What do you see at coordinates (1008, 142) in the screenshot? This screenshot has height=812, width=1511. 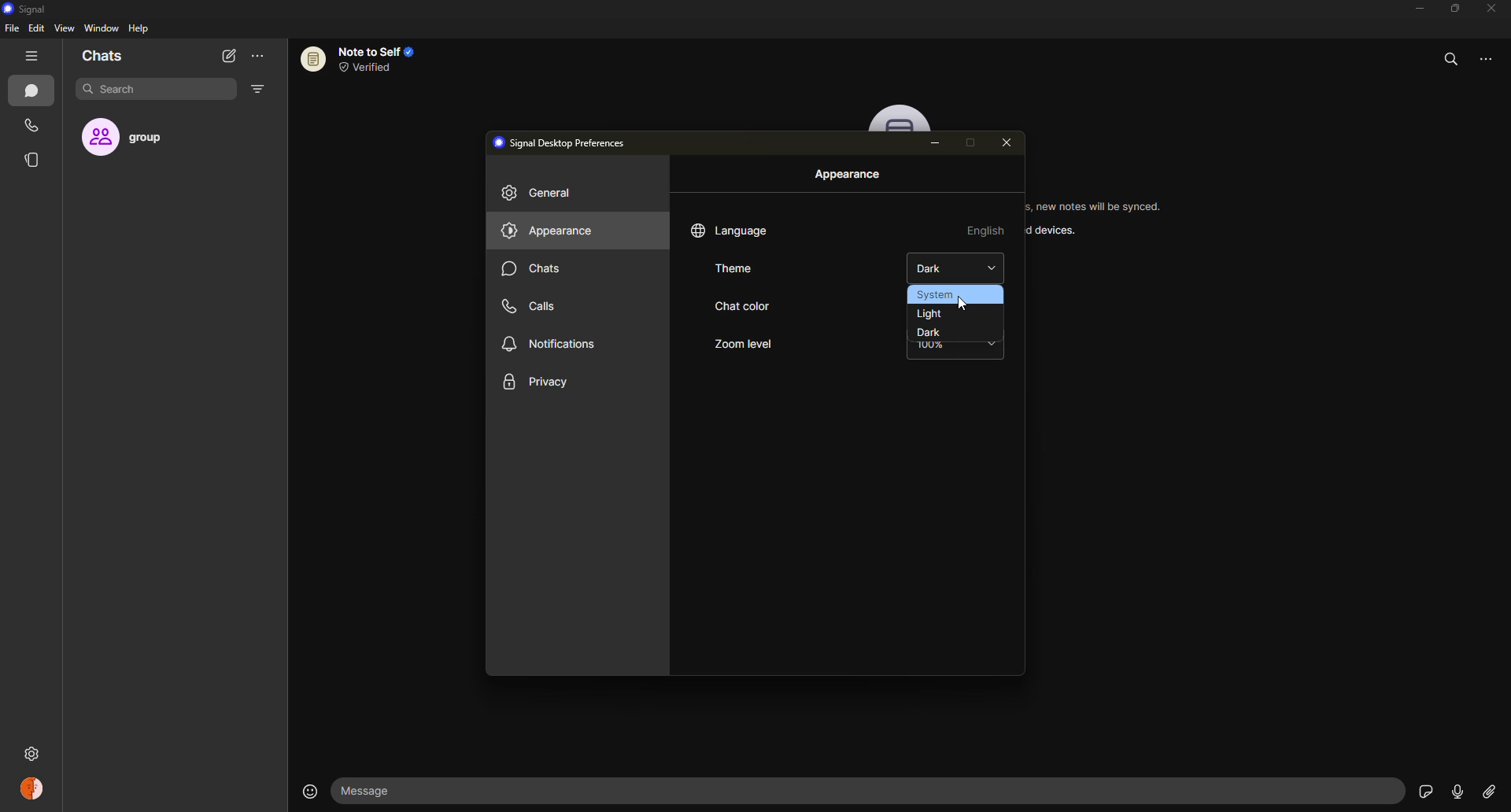 I see `close` at bounding box center [1008, 142].